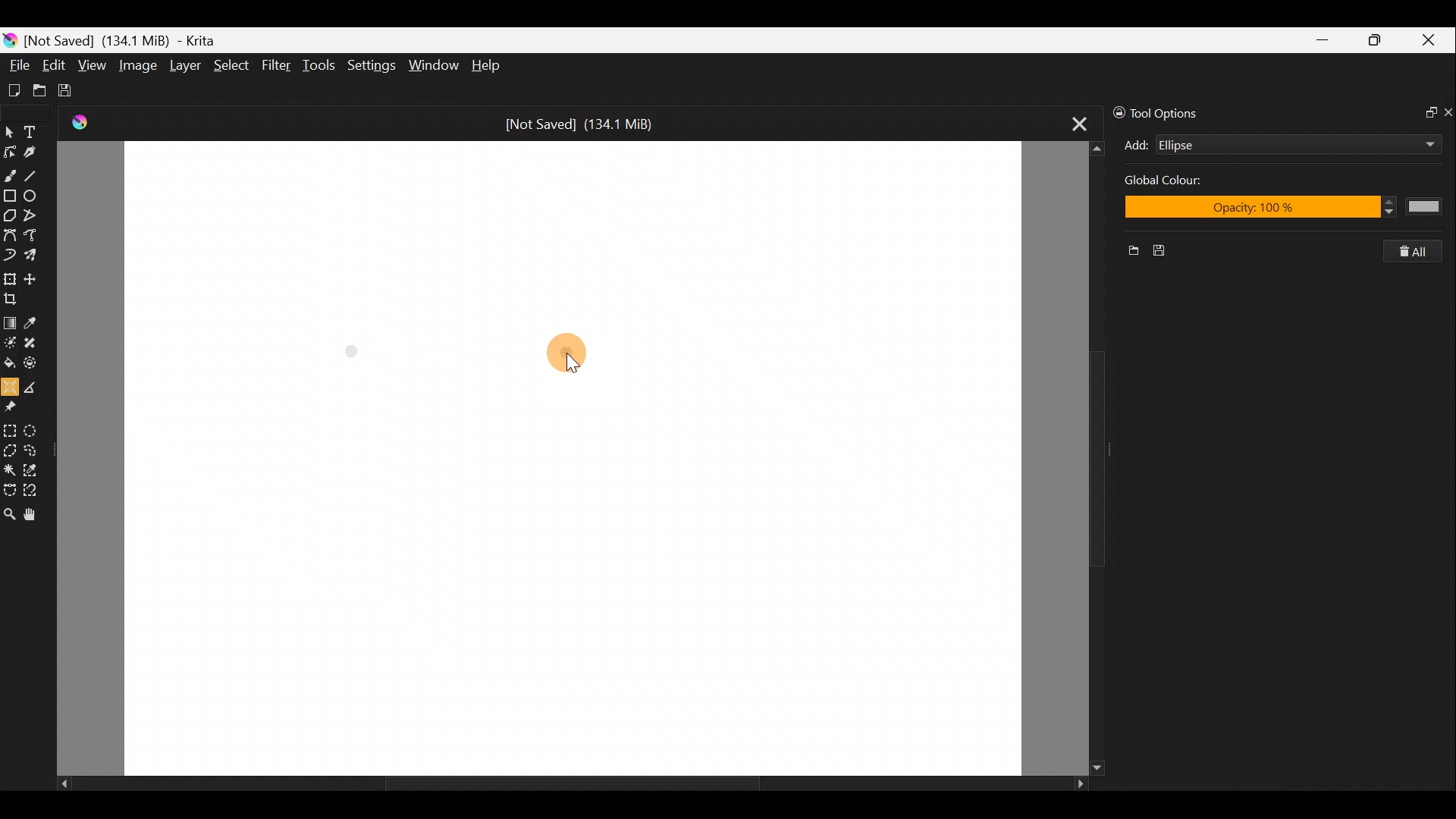  Describe the element at coordinates (1416, 142) in the screenshot. I see `Add drop down` at that location.